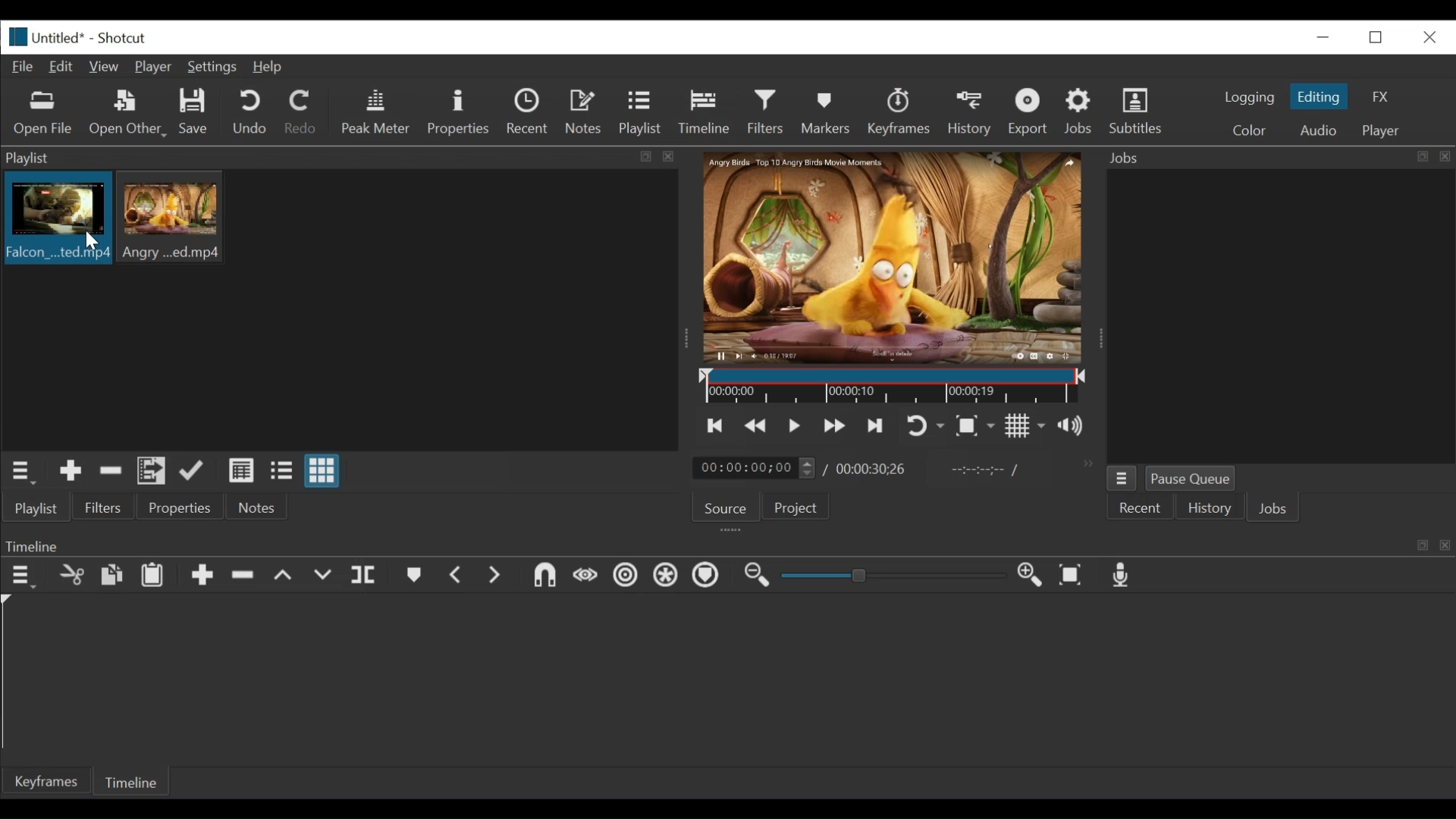  Describe the element at coordinates (586, 112) in the screenshot. I see `Notes` at that location.